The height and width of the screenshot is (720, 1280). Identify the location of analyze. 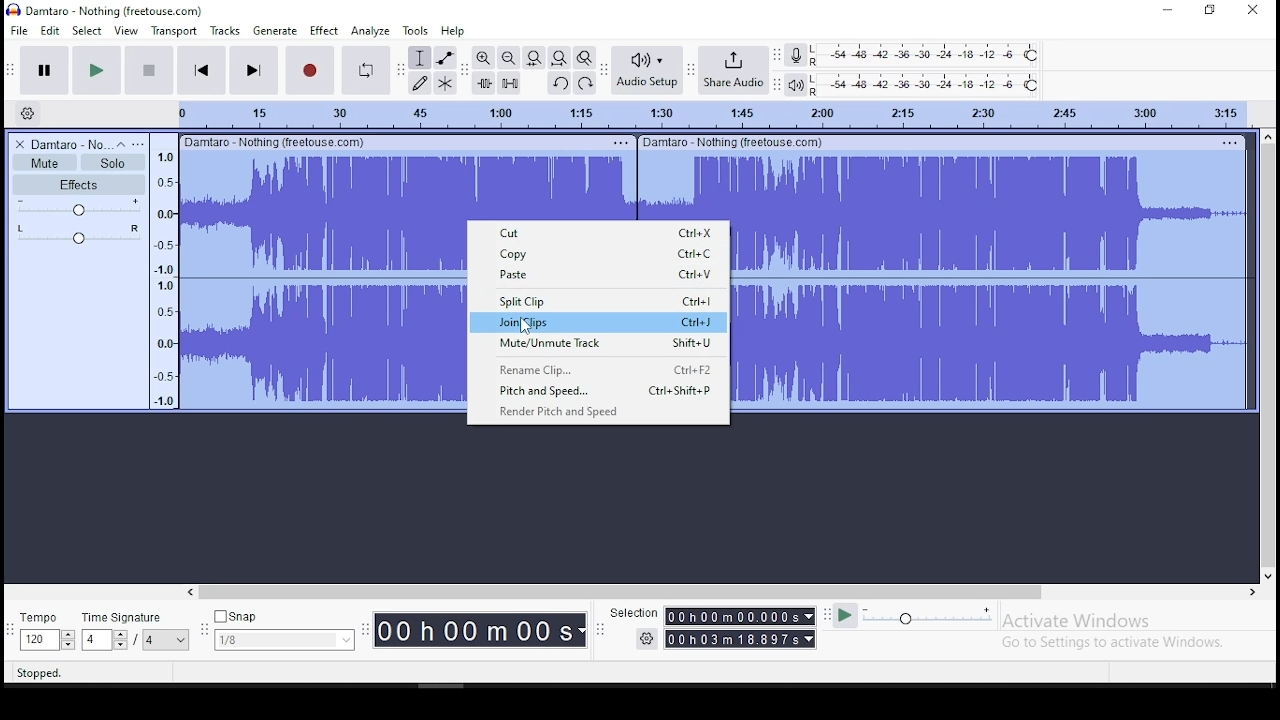
(370, 32).